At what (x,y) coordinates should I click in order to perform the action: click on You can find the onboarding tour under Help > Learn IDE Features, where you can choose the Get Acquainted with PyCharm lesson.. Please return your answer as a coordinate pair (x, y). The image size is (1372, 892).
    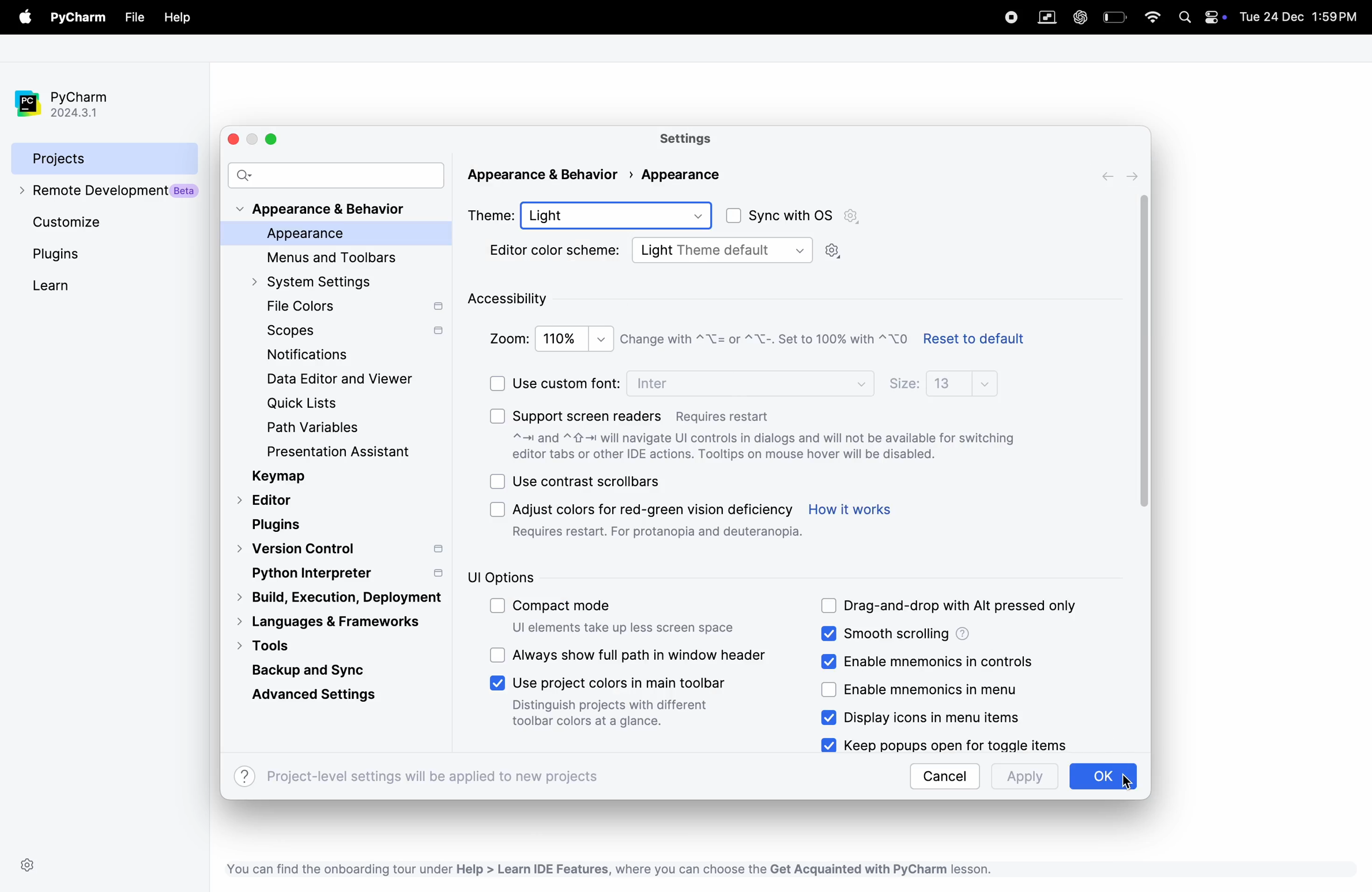
    Looking at the image, I should click on (632, 868).